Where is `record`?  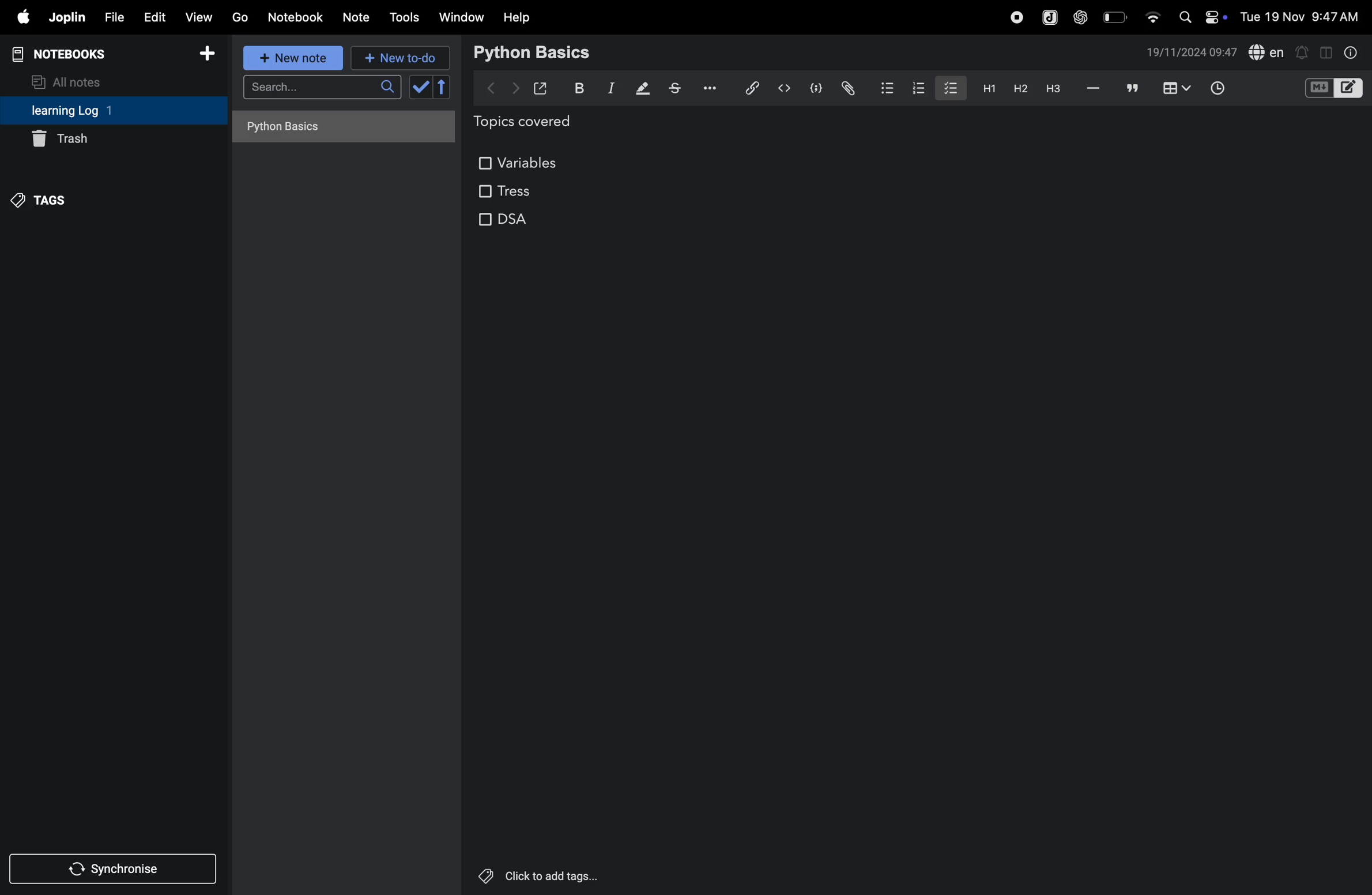 record is located at coordinates (1016, 16).